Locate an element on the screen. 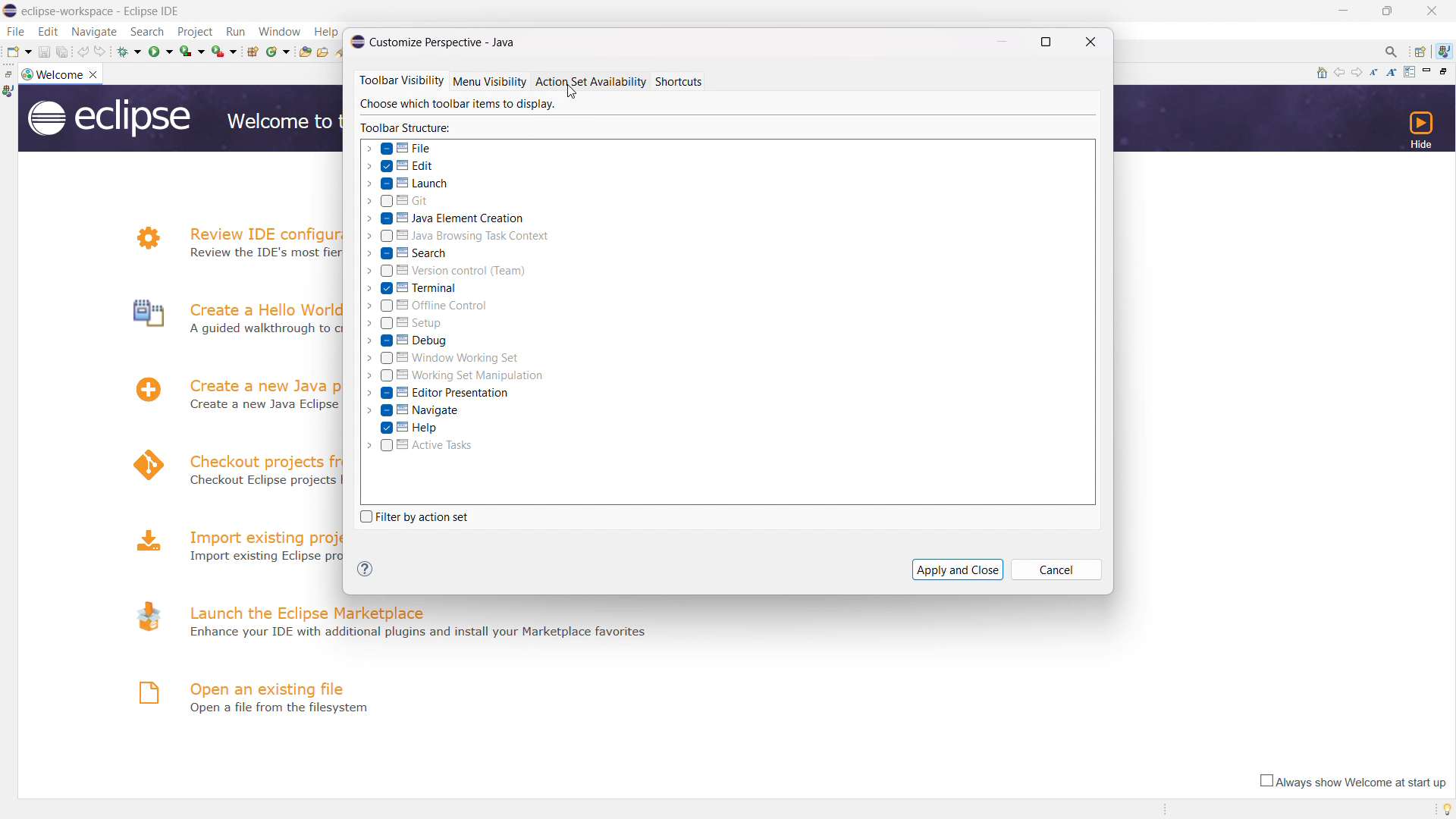 The image size is (1456, 819). shortcuts is located at coordinates (679, 81).